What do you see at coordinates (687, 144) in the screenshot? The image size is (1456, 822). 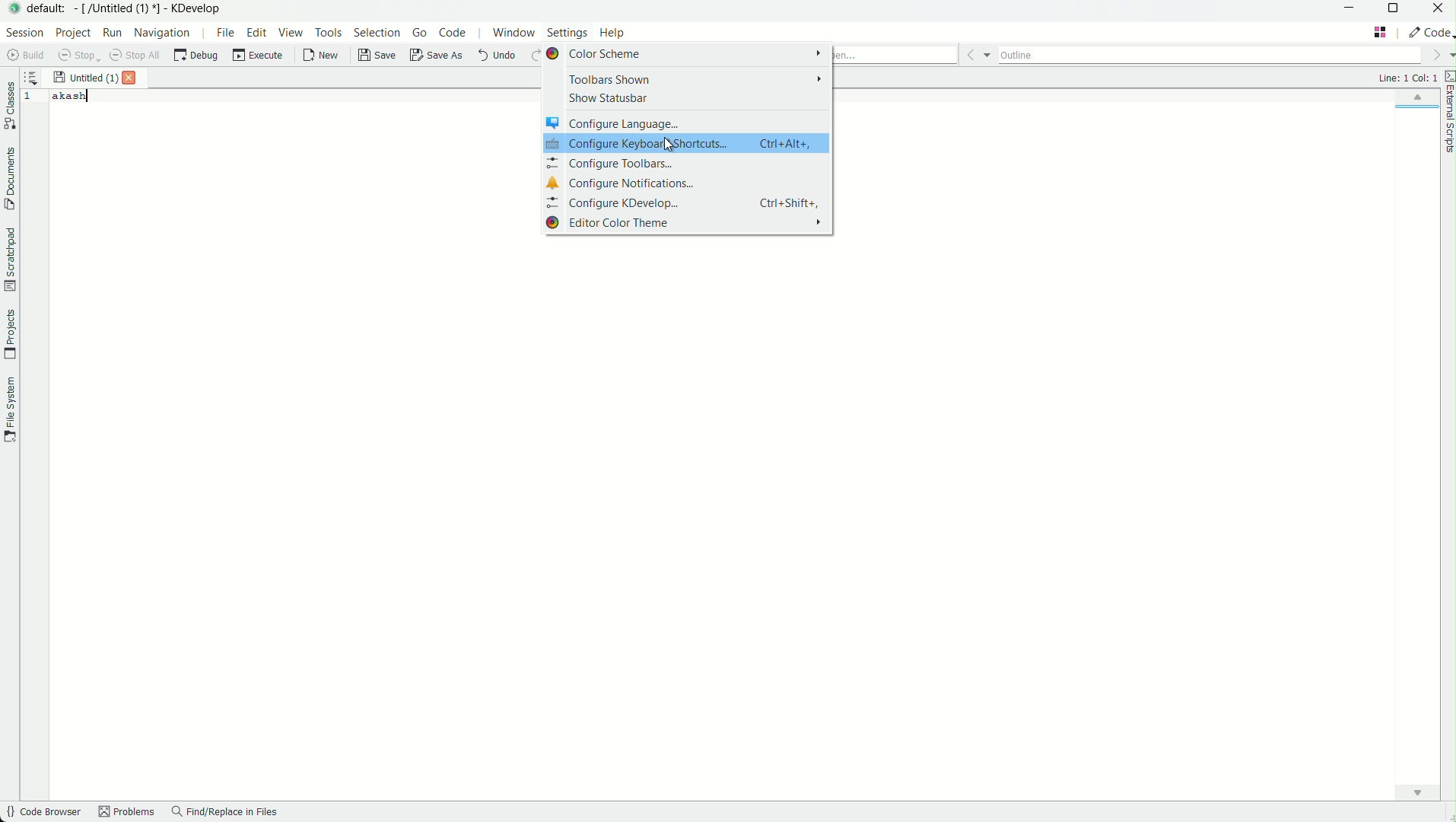 I see `configure keyboard shortcuts` at bounding box center [687, 144].